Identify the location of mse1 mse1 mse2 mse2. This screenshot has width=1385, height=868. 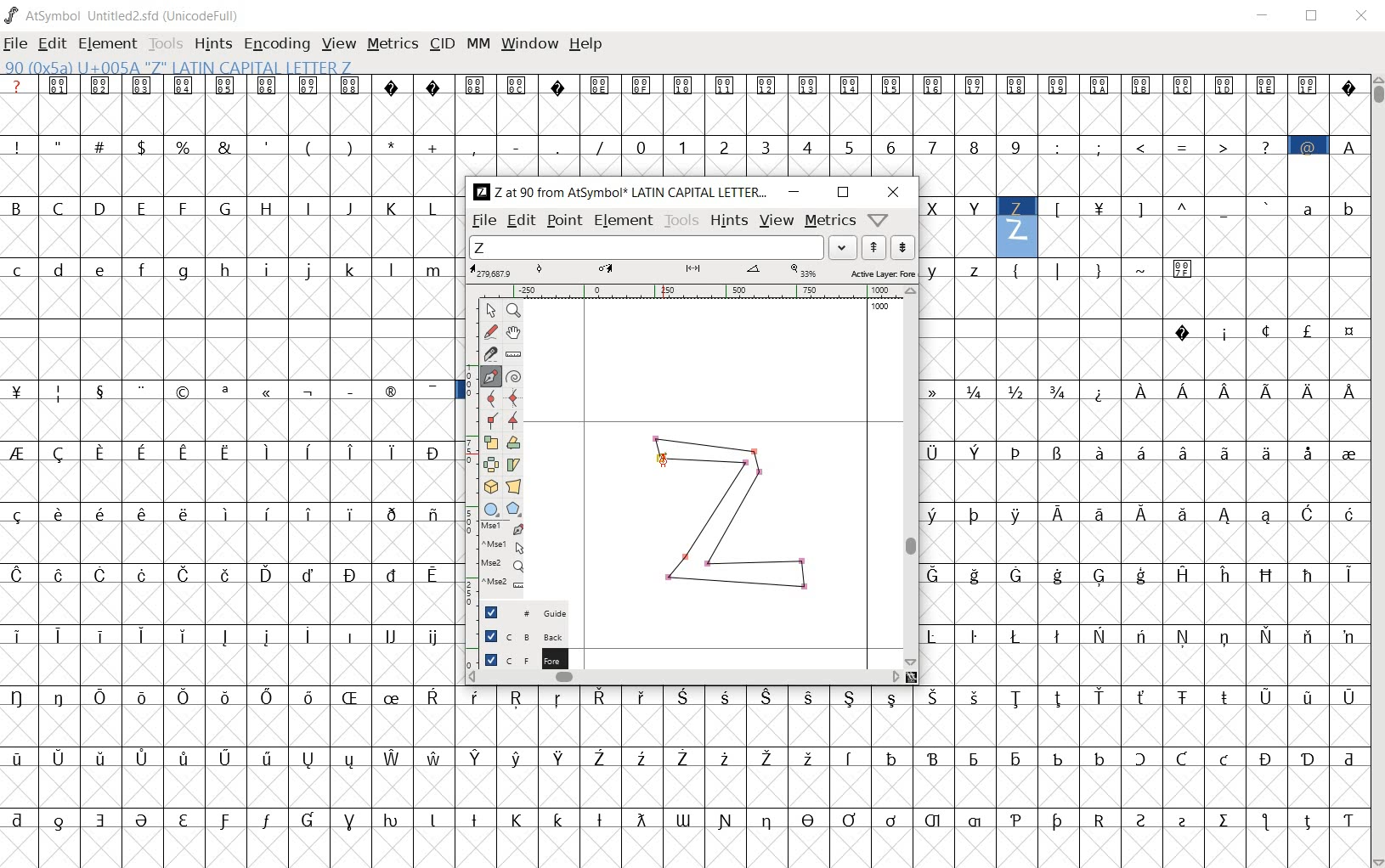
(494, 561).